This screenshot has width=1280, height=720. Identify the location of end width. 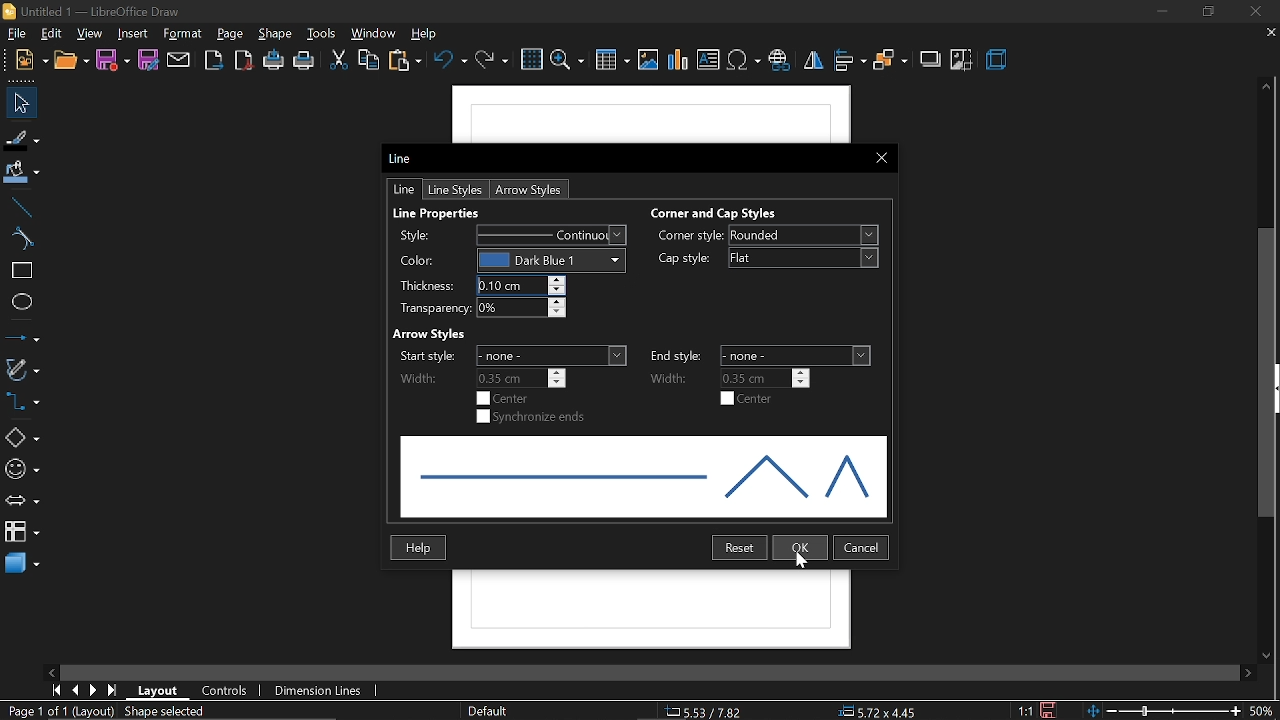
(766, 377).